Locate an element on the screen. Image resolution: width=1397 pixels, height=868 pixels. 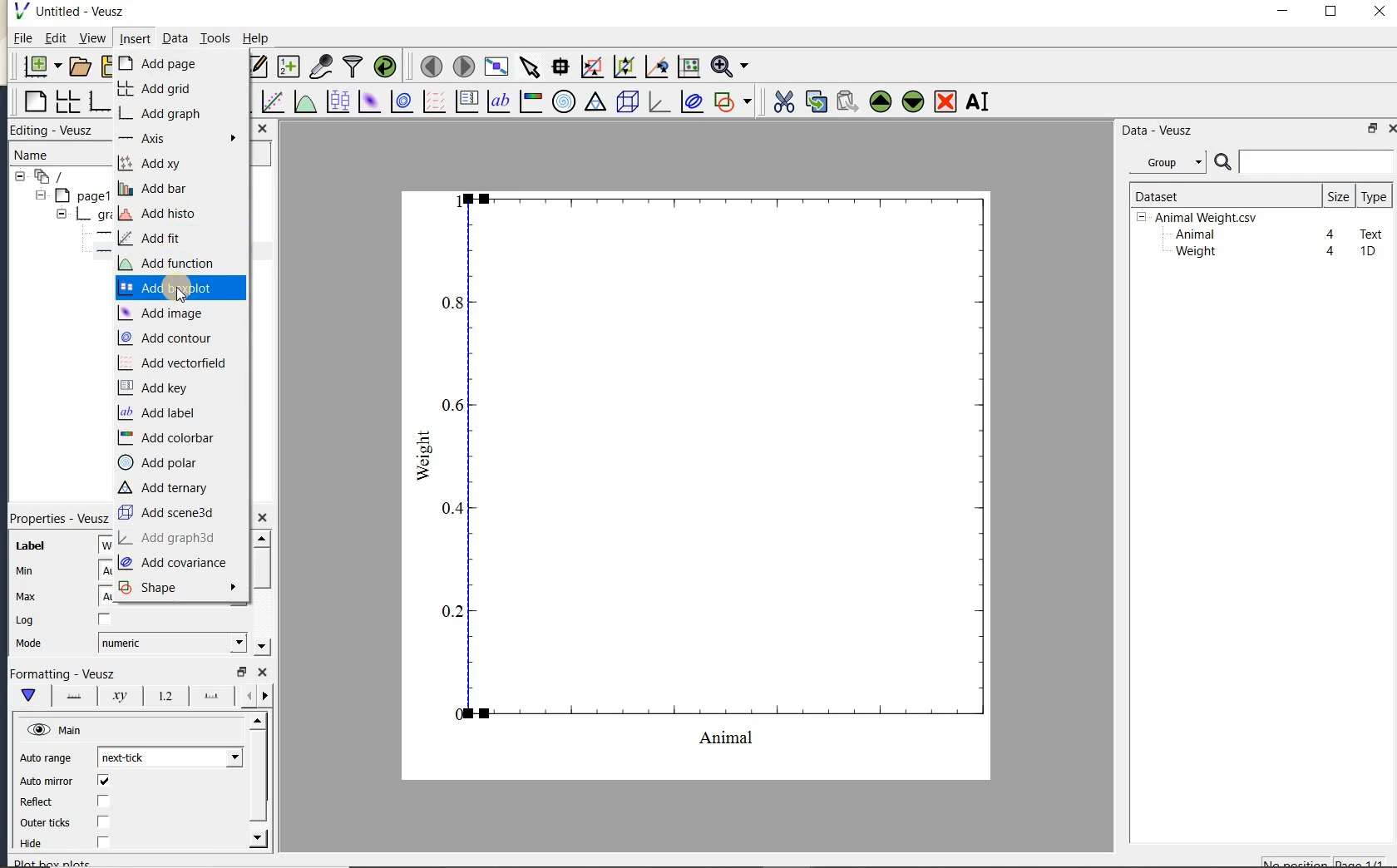
restore is located at coordinates (1374, 128).